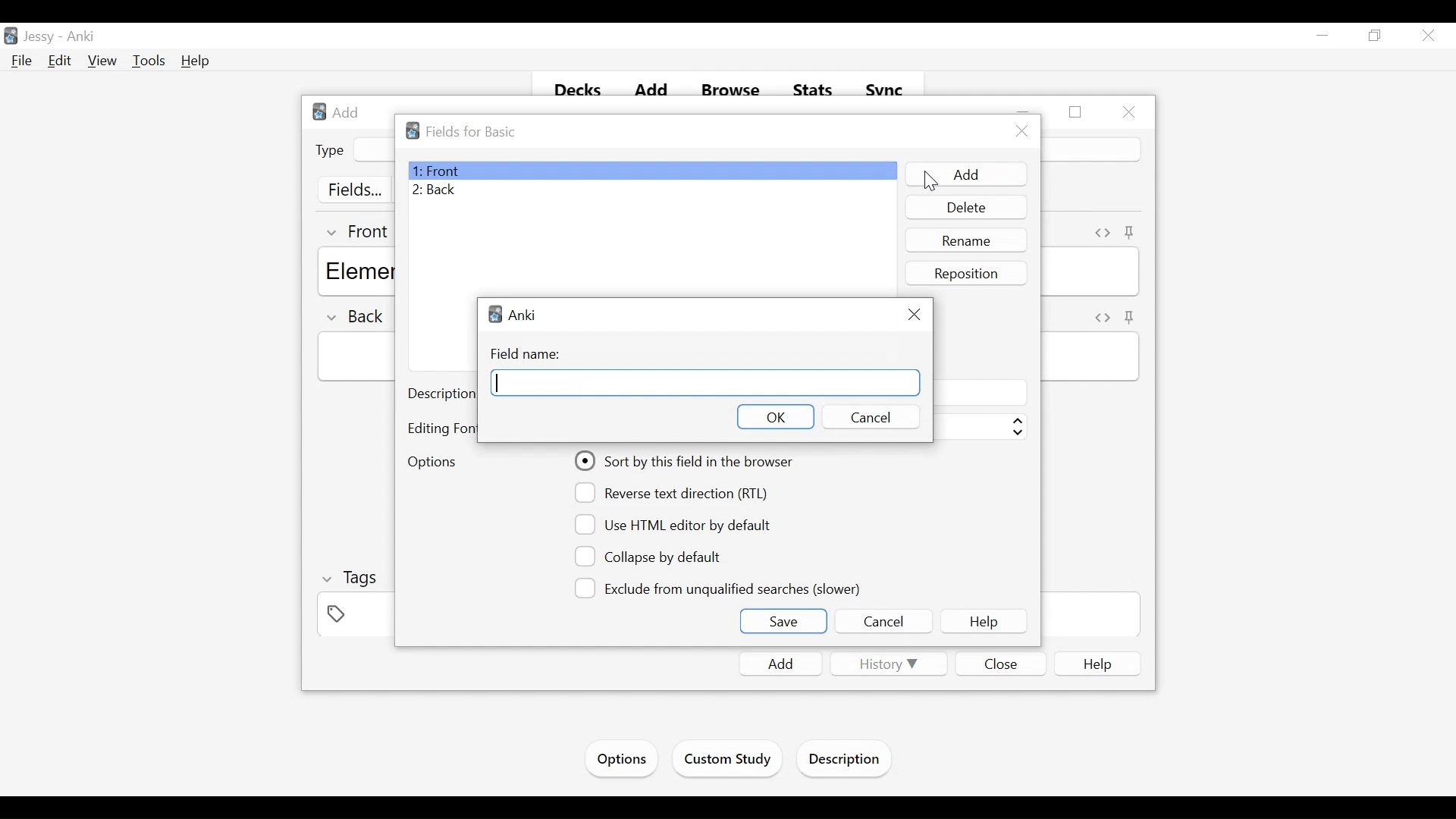 This screenshot has height=819, width=1456. Describe the element at coordinates (927, 182) in the screenshot. I see `Cursor` at that location.